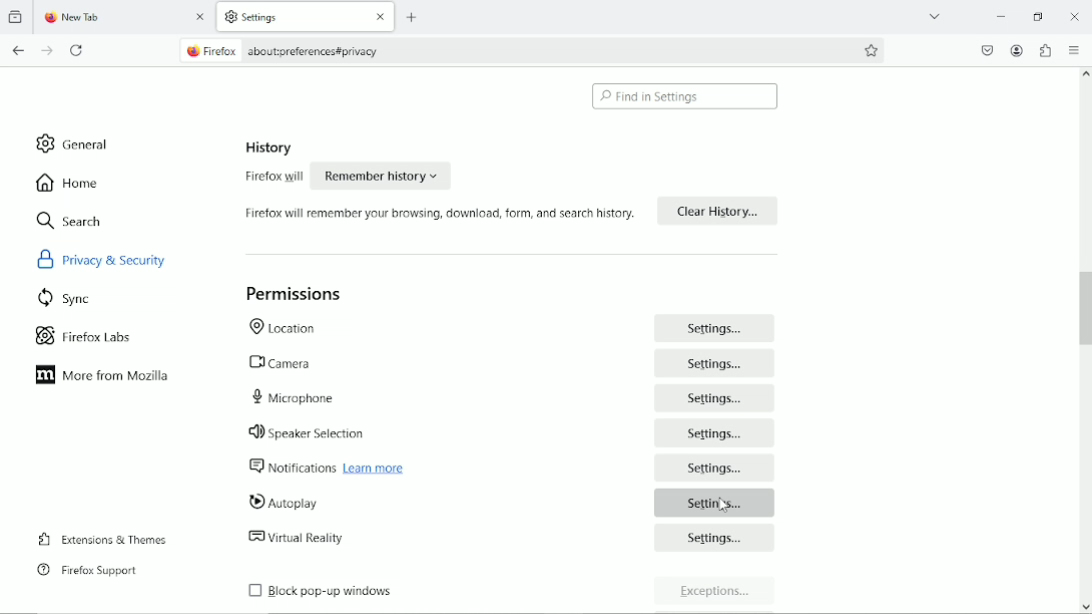 The width and height of the screenshot is (1092, 614). What do you see at coordinates (191, 52) in the screenshot?
I see `firefox logo` at bounding box center [191, 52].